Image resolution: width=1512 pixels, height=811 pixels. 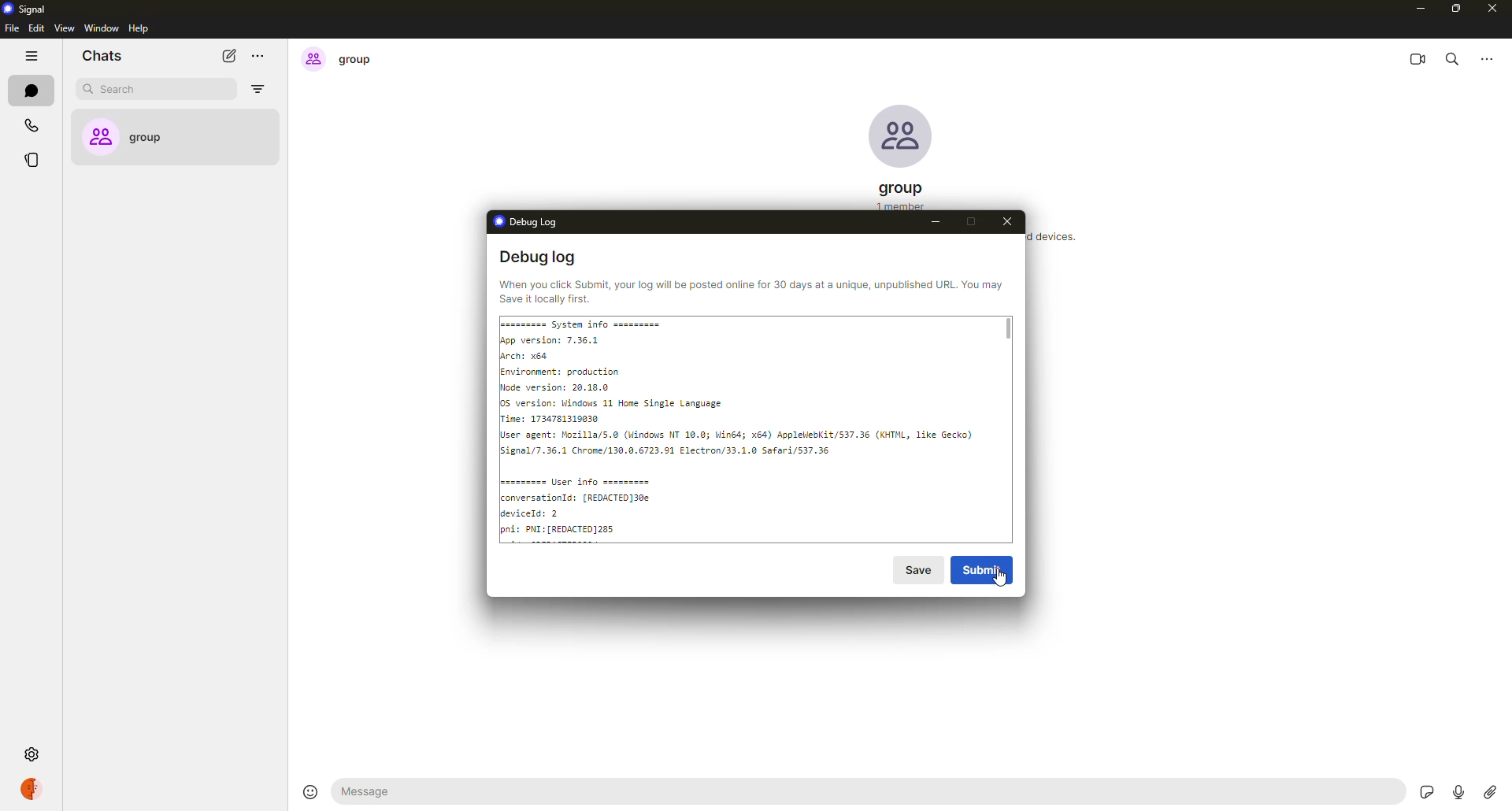 What do you see at coordinates (33, 57) in the screenshot?
I see `hide tabs` at bounding box center [33, 57].